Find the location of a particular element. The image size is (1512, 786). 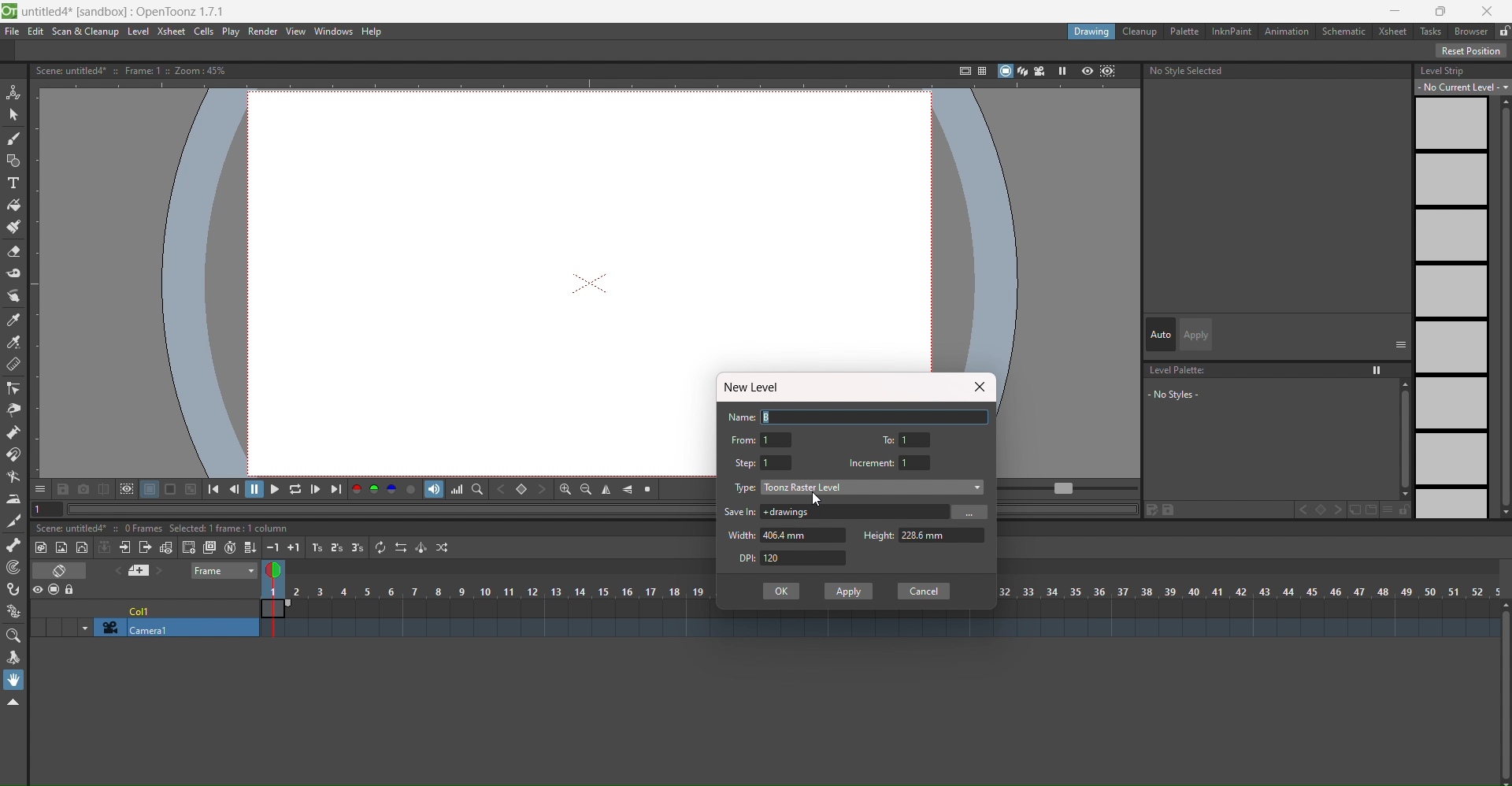

fill in empty cells is located at coordinates (250, 546).